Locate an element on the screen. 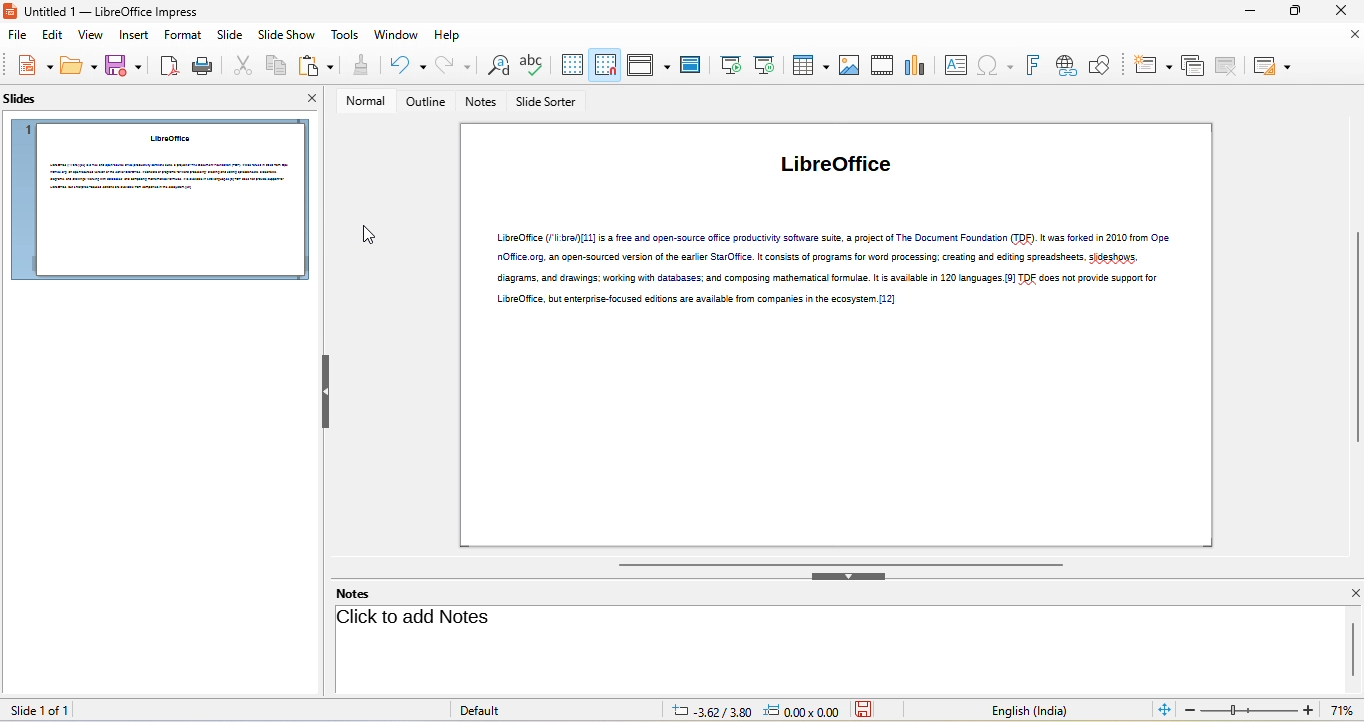 This screenshot has width=1364, height=722. special character is located at coordinates (994, 67).